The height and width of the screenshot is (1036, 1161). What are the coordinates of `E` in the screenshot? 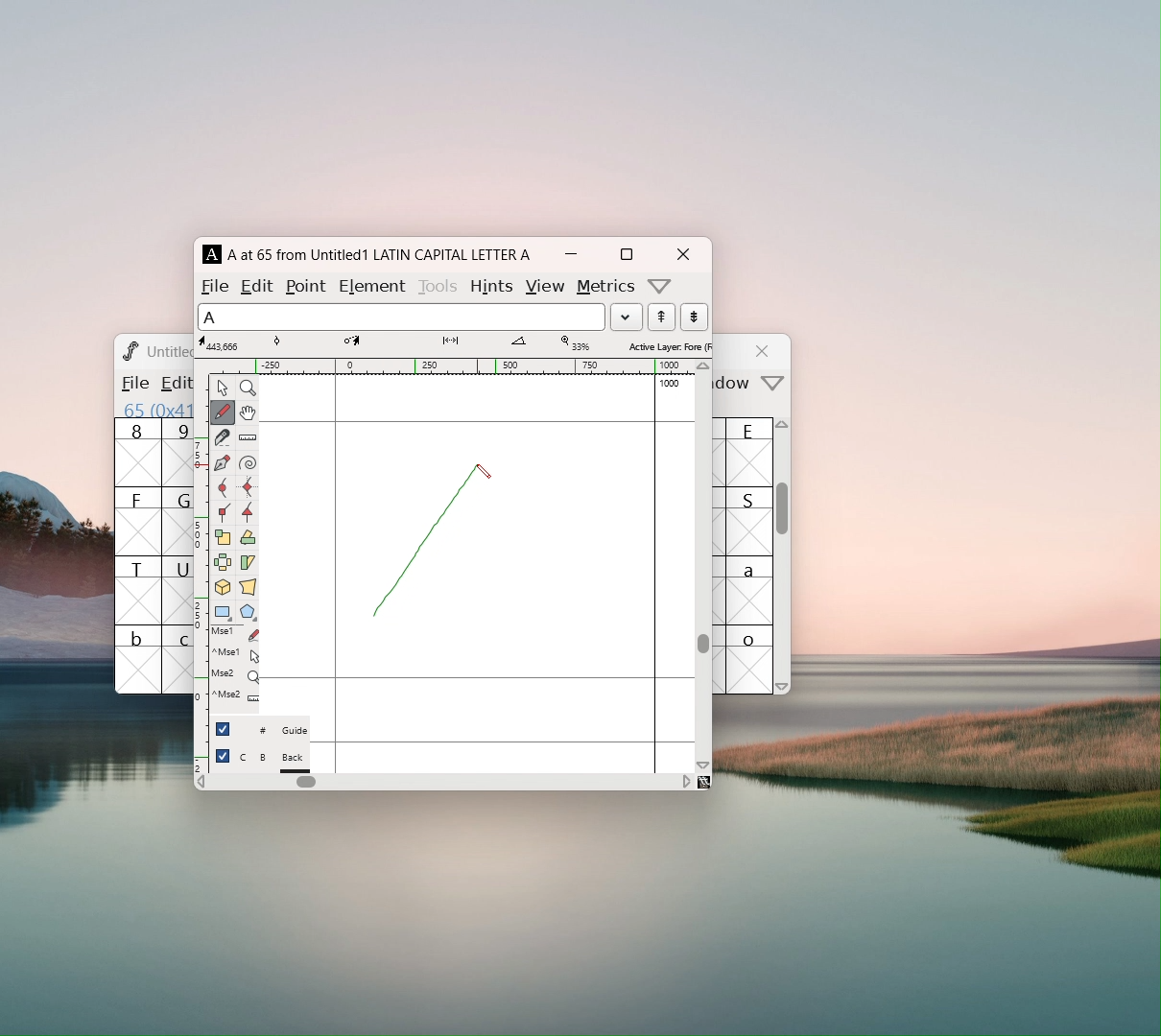 It's located at (750, 452).